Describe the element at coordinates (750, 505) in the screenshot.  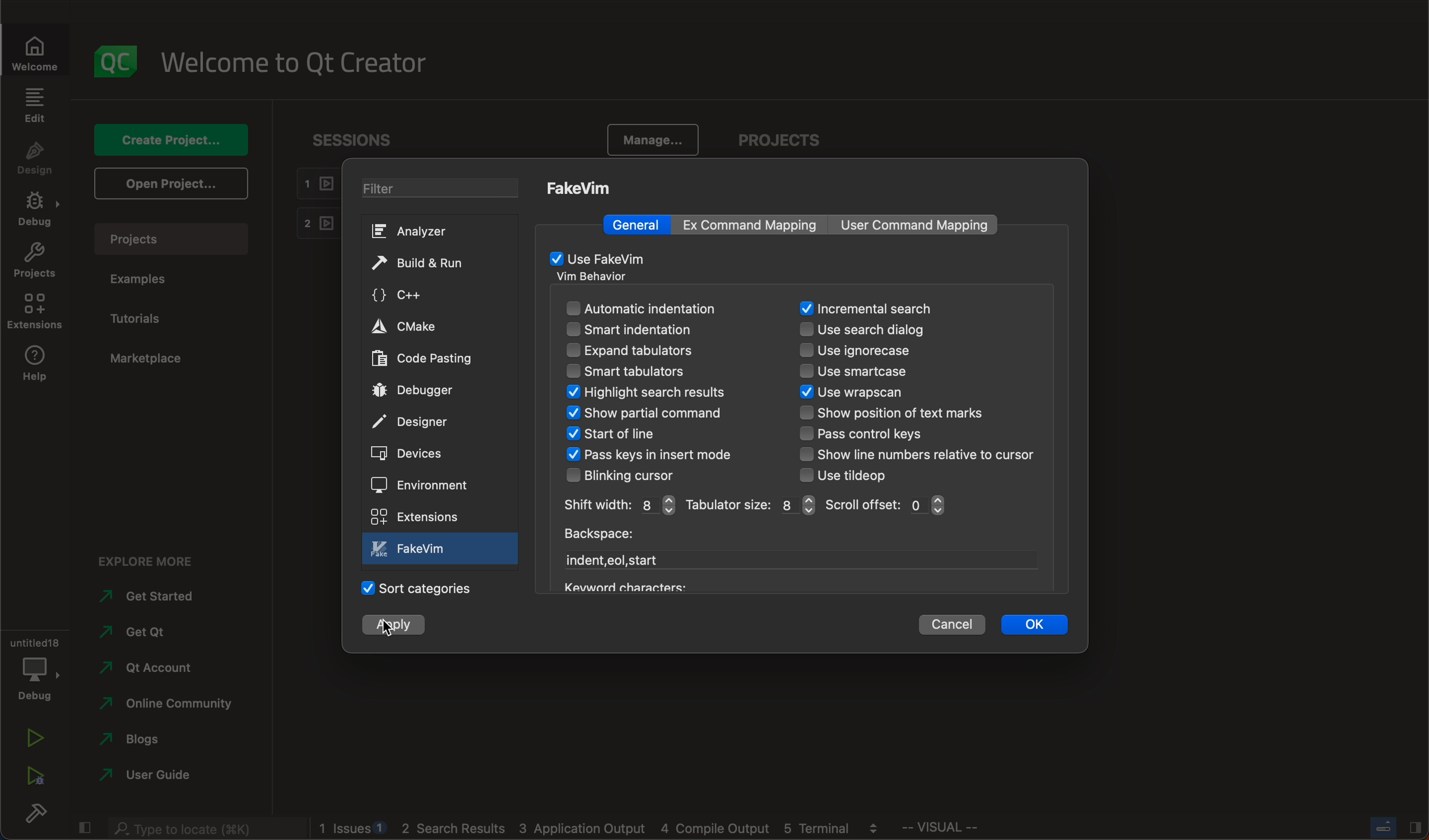
I see `size` at that location.